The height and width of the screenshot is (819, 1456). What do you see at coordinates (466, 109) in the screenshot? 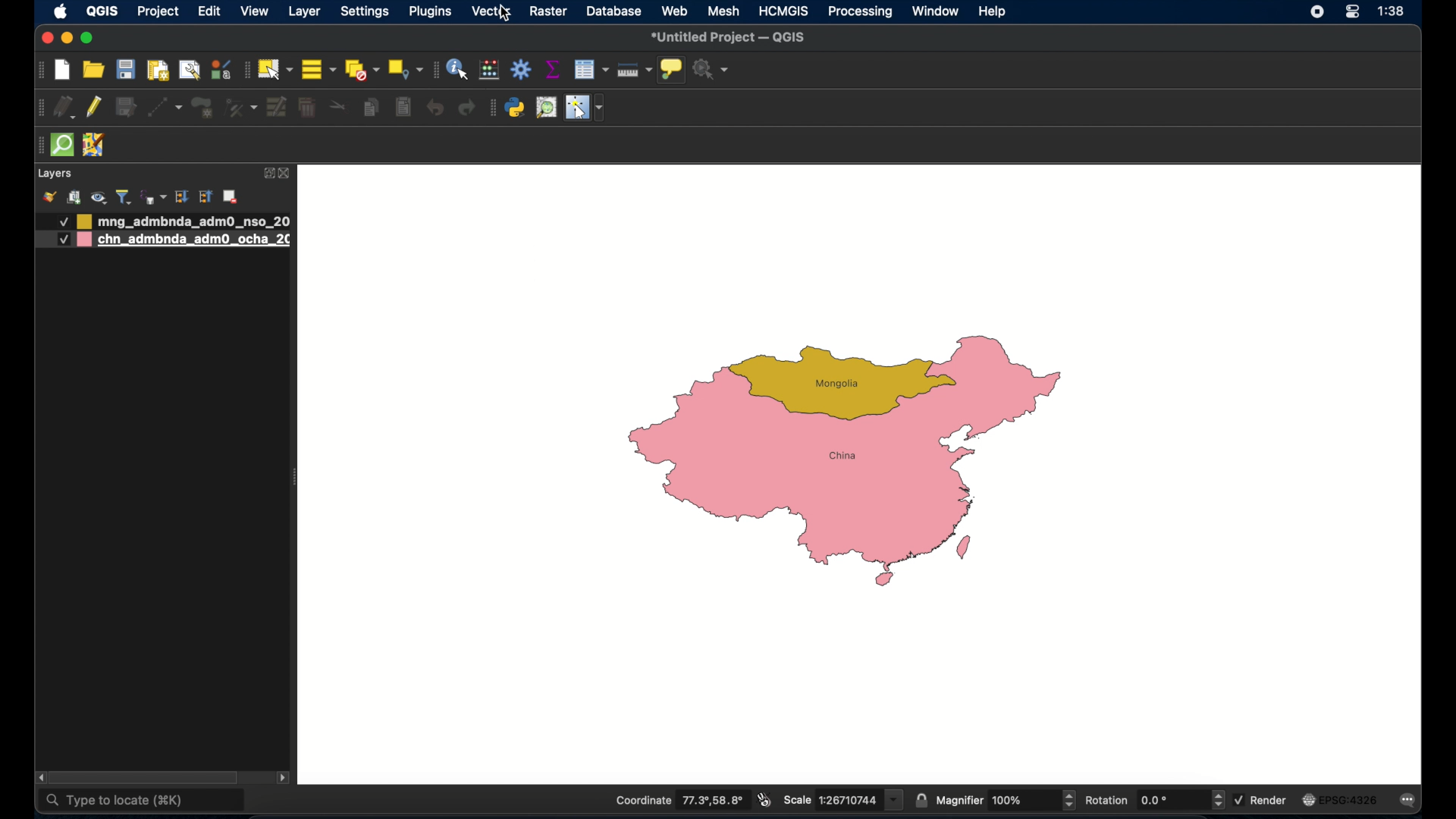
I see `redo` at bounding box center [466, 109].